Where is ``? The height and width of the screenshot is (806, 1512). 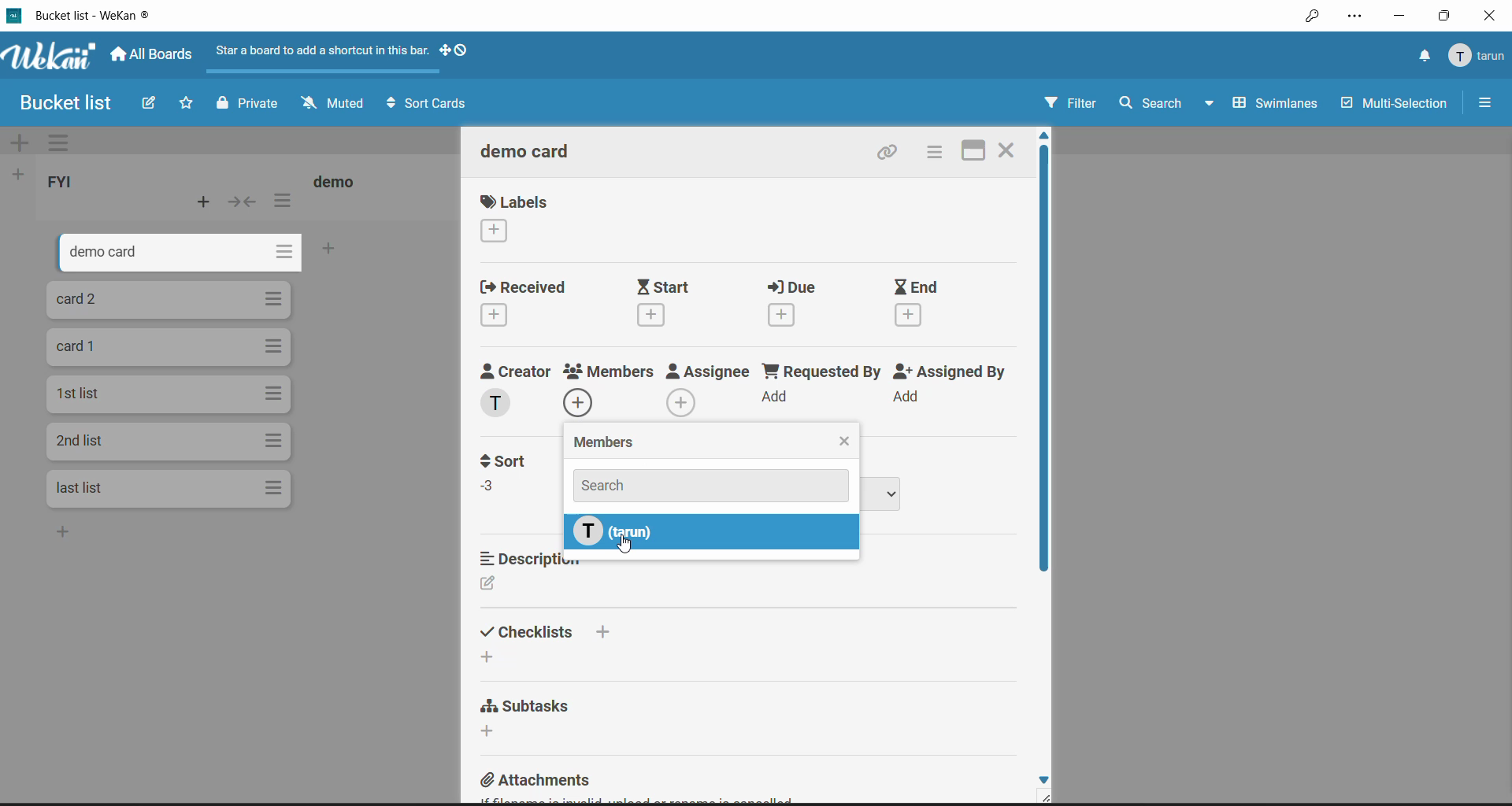  is located at coordinates (918, 287).